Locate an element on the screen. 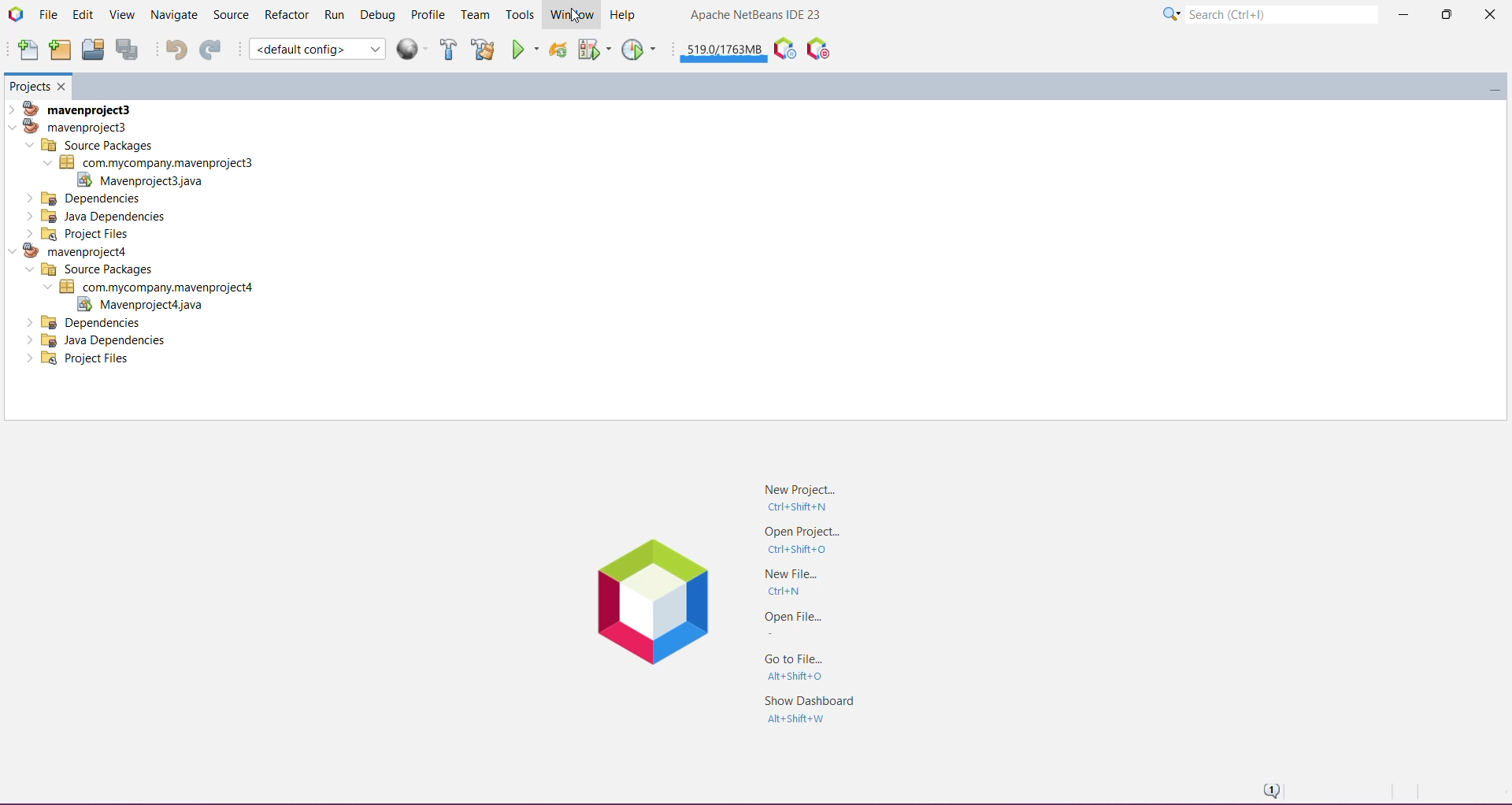 The width and height of the screenshot is (1512, 805). Undo is located at coordinates (172, 49).